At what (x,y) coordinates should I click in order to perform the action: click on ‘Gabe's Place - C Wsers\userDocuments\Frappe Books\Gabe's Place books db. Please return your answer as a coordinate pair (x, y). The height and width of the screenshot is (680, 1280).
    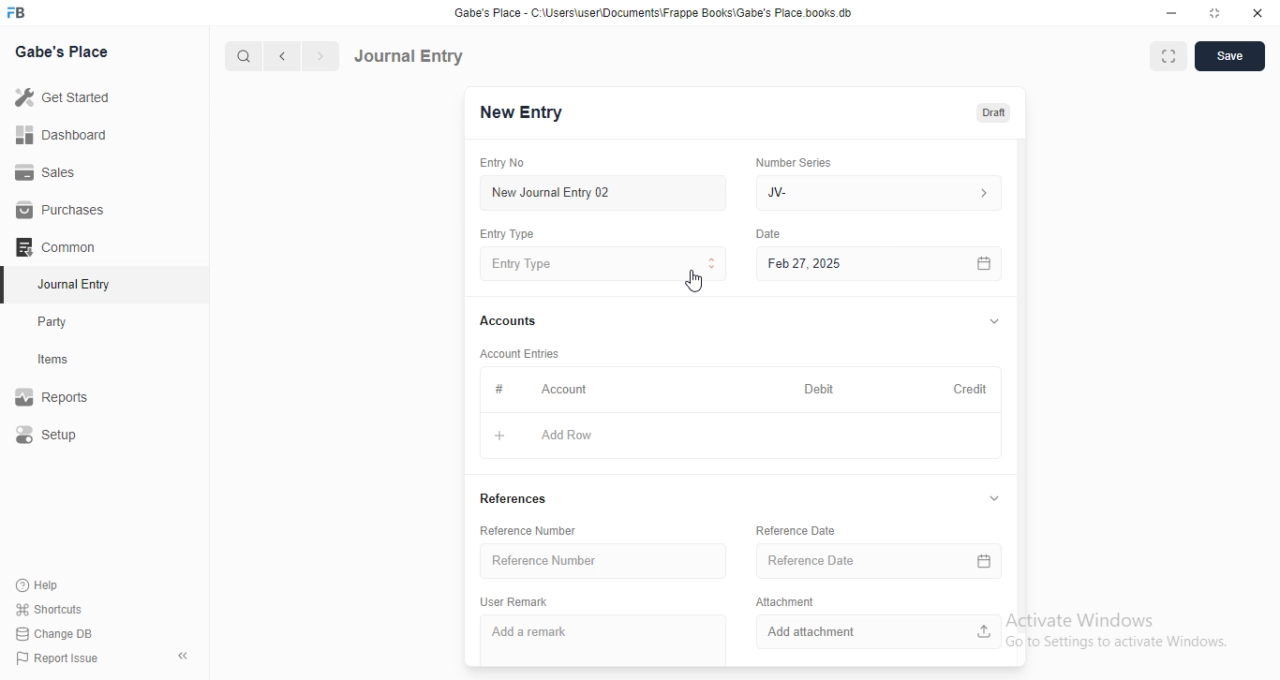
    Looking at the image, I should click on (659, 11).